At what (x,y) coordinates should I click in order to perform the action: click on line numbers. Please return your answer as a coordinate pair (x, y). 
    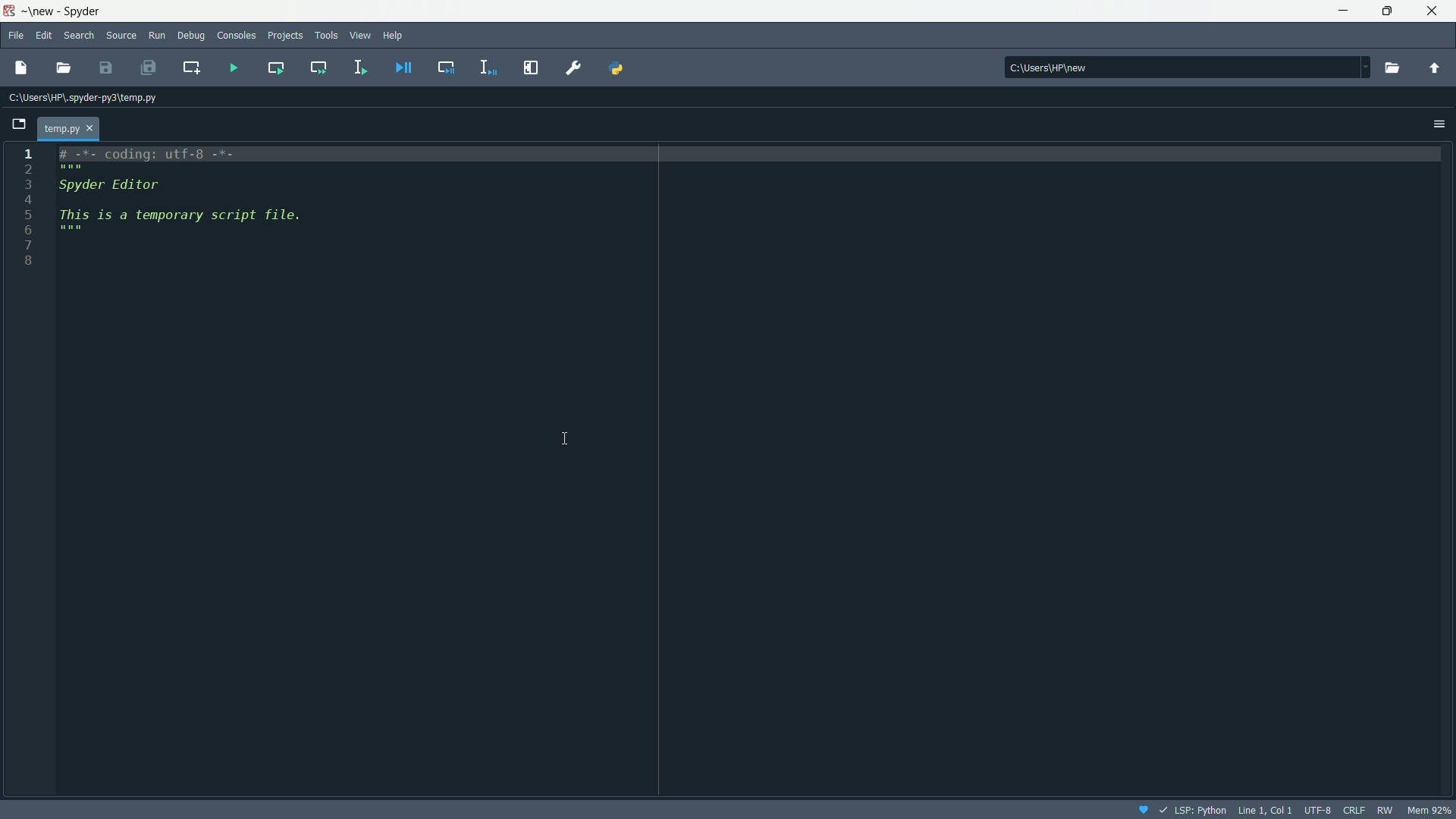
    Looking at the image, I should click on (28, 208).